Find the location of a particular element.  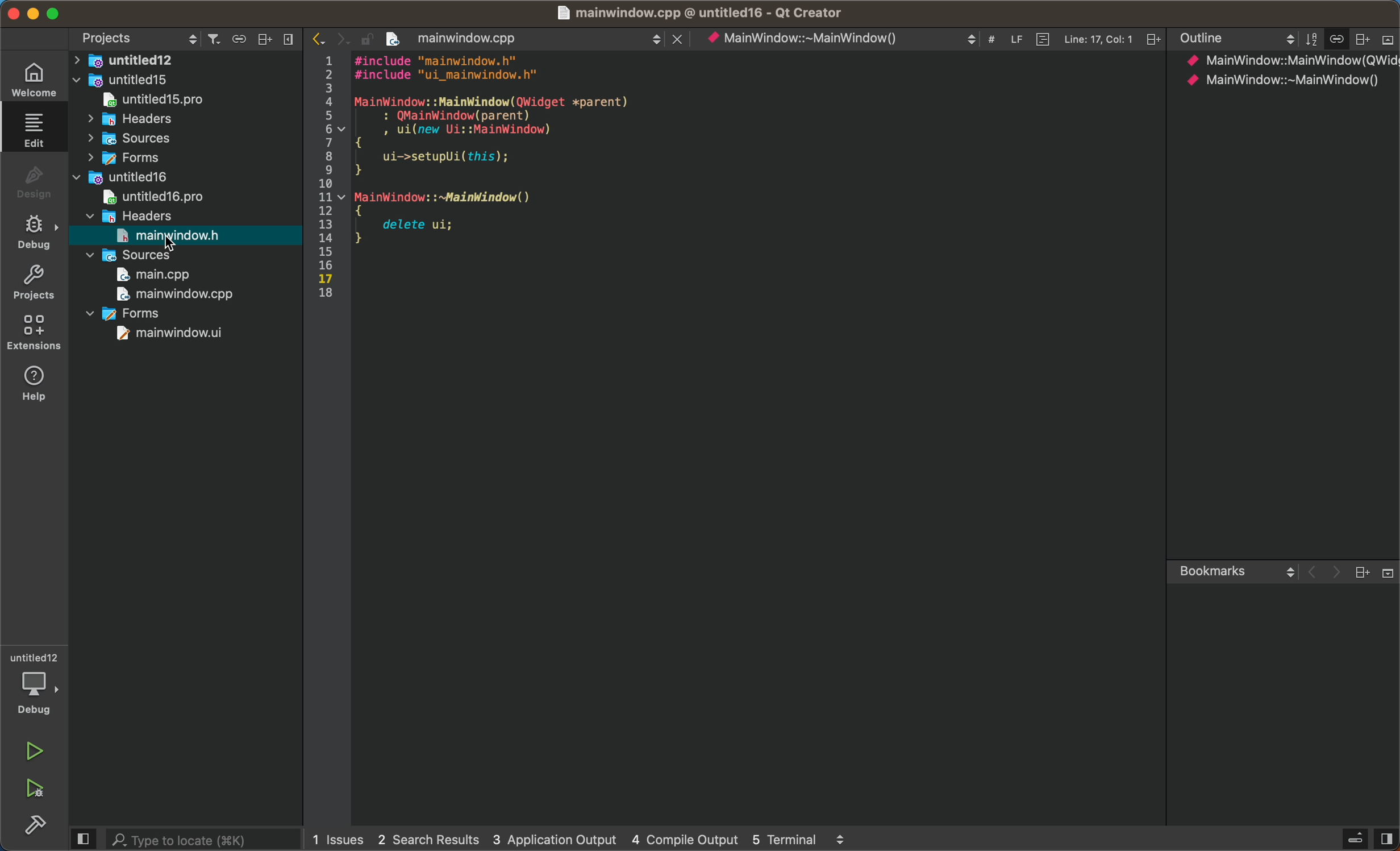

files and folders is located at coordinates (186, 199).